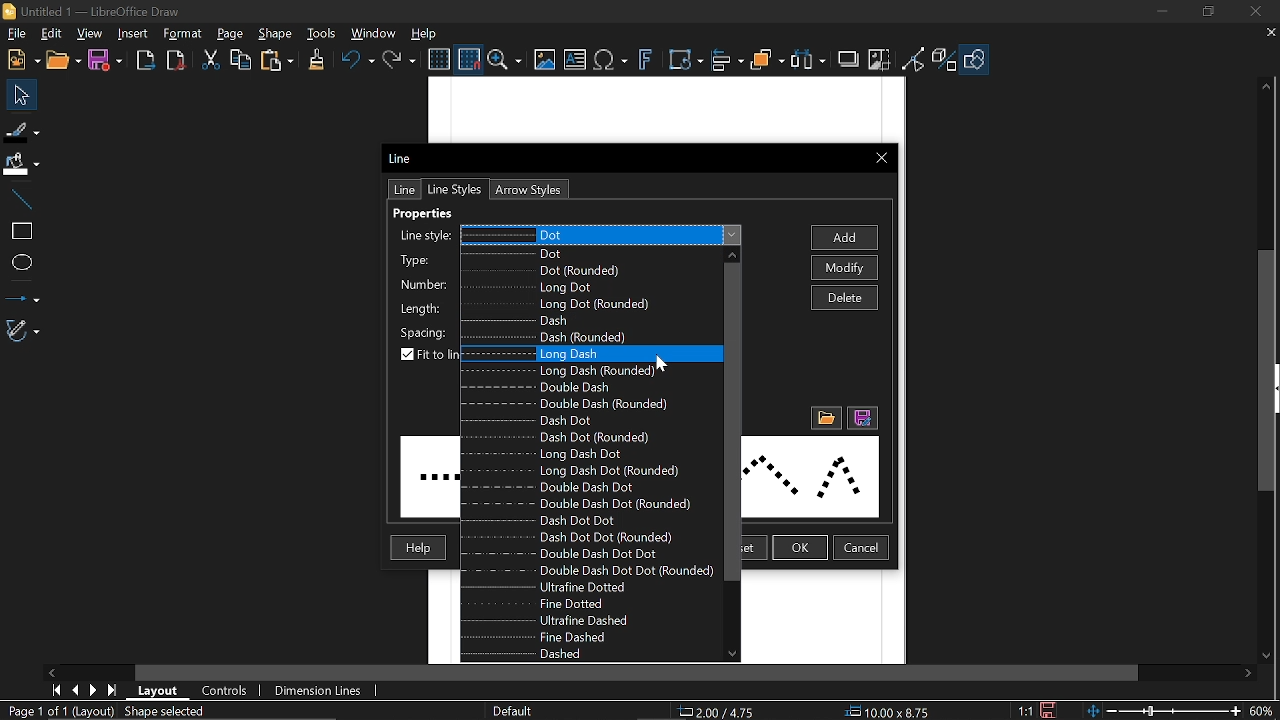 This screenshot has height=720, width=1280. What do you see at coordinates (809, 60) in the screenshot?
I see `Select at least three objects to distribute` at bounding box center [809, 60].